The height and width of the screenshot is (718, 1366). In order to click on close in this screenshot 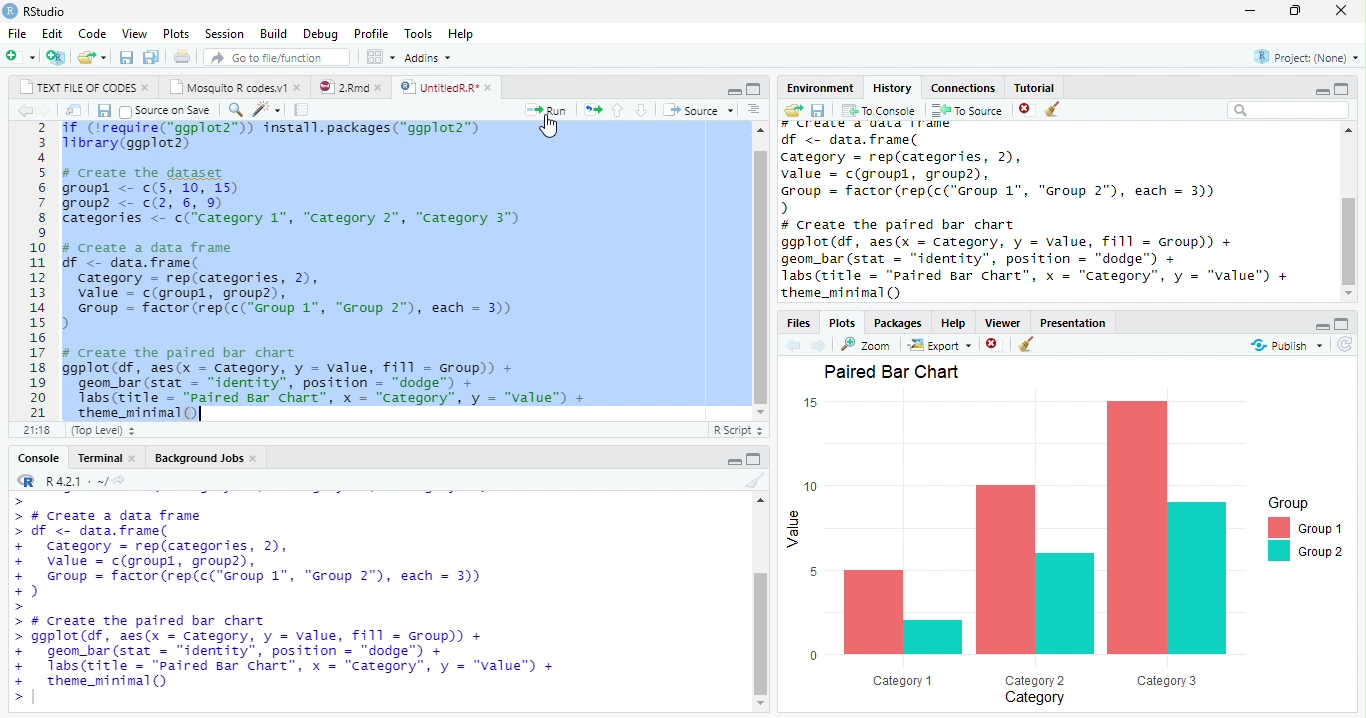, I will do `click(1339, 11)`.